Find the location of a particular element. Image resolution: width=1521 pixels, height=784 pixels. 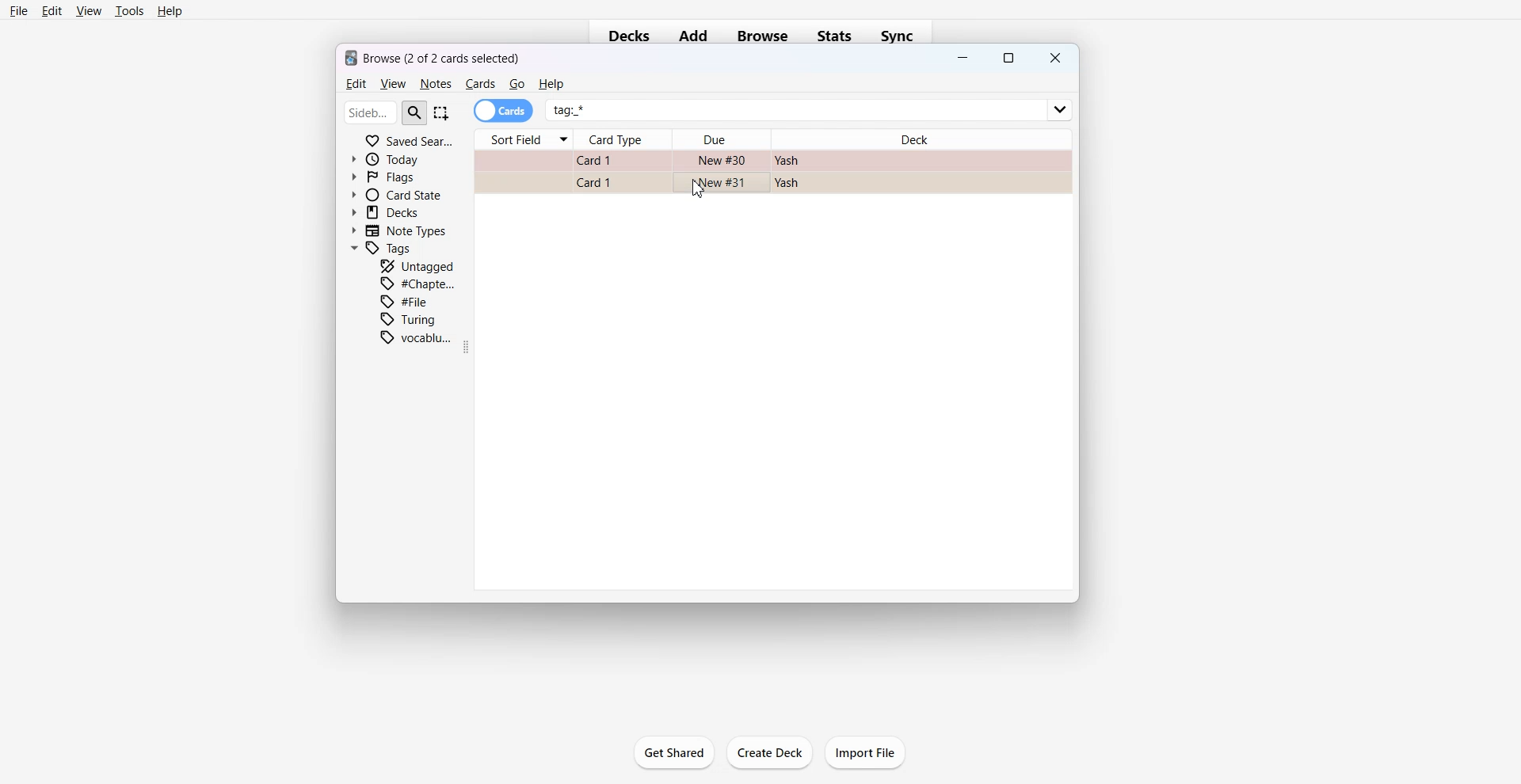

Search Bar is located at coordinates (386, 112).